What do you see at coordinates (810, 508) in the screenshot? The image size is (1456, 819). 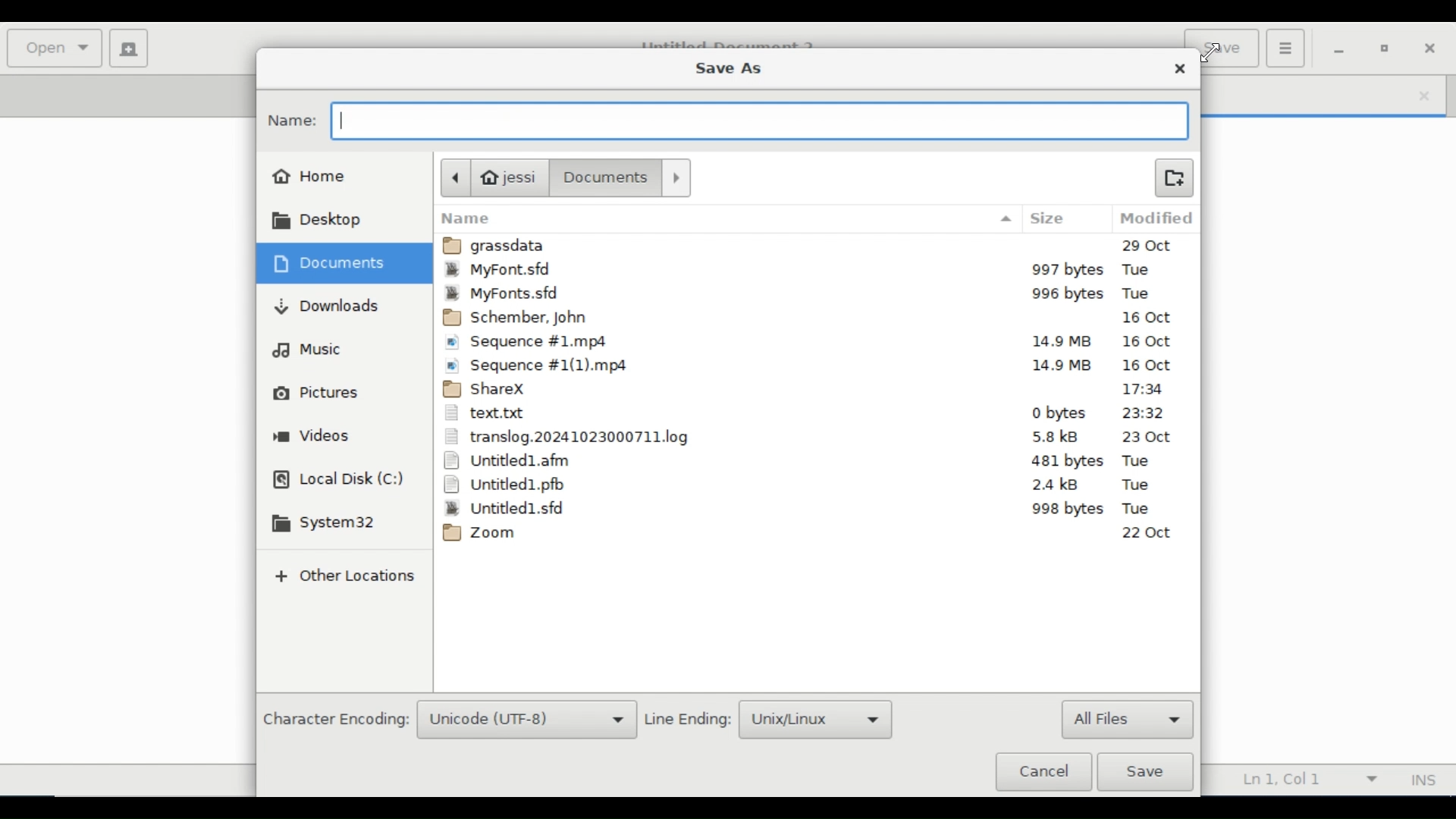 I see `Untitled1.sfd` at bounding box center [810, 508].